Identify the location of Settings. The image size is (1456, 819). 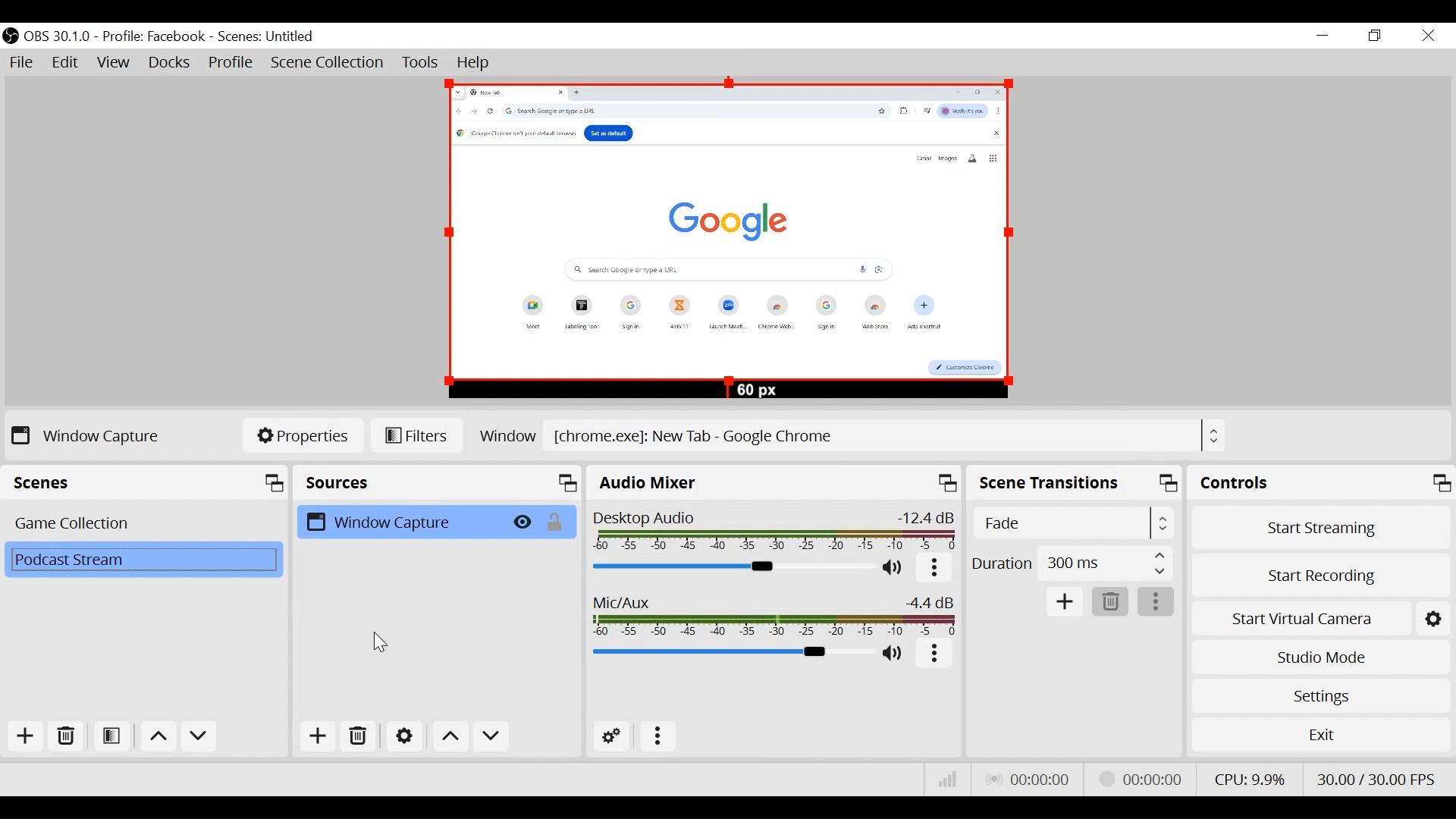
(1320, 696).